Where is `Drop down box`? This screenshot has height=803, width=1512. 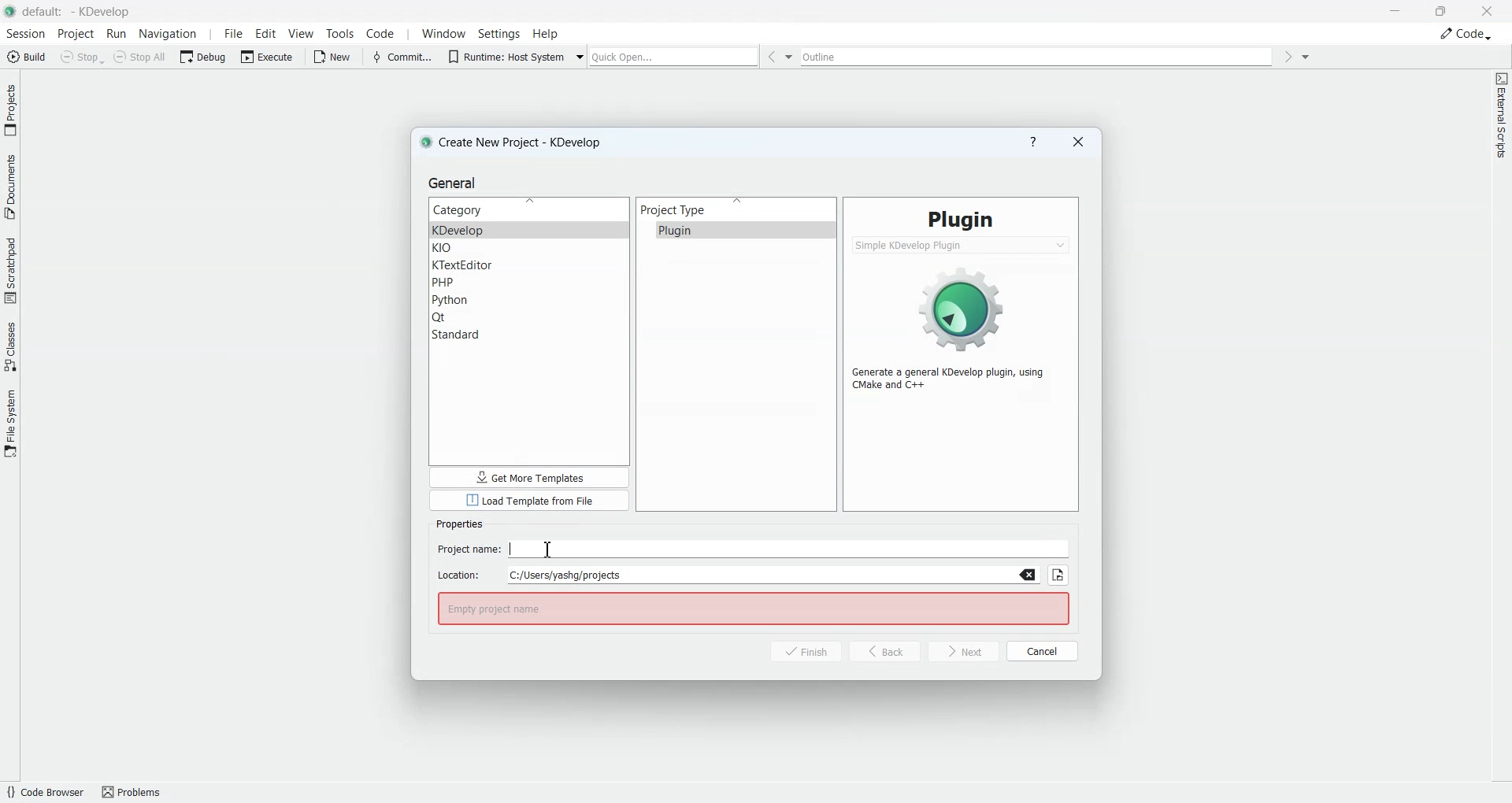
Drop down box is located at coordinates (791, 57).